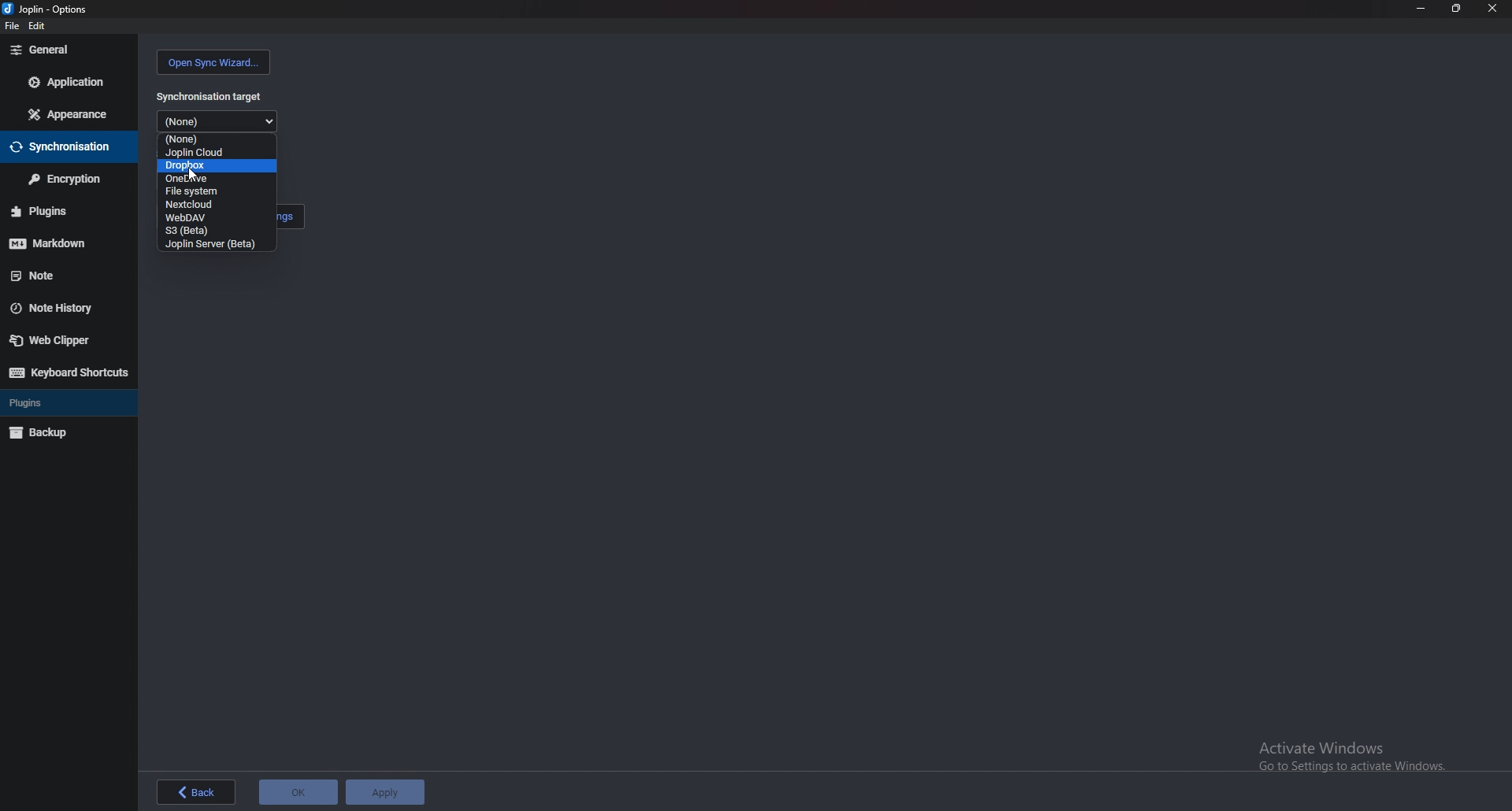  I want to click on resize, so click(1458, 9).